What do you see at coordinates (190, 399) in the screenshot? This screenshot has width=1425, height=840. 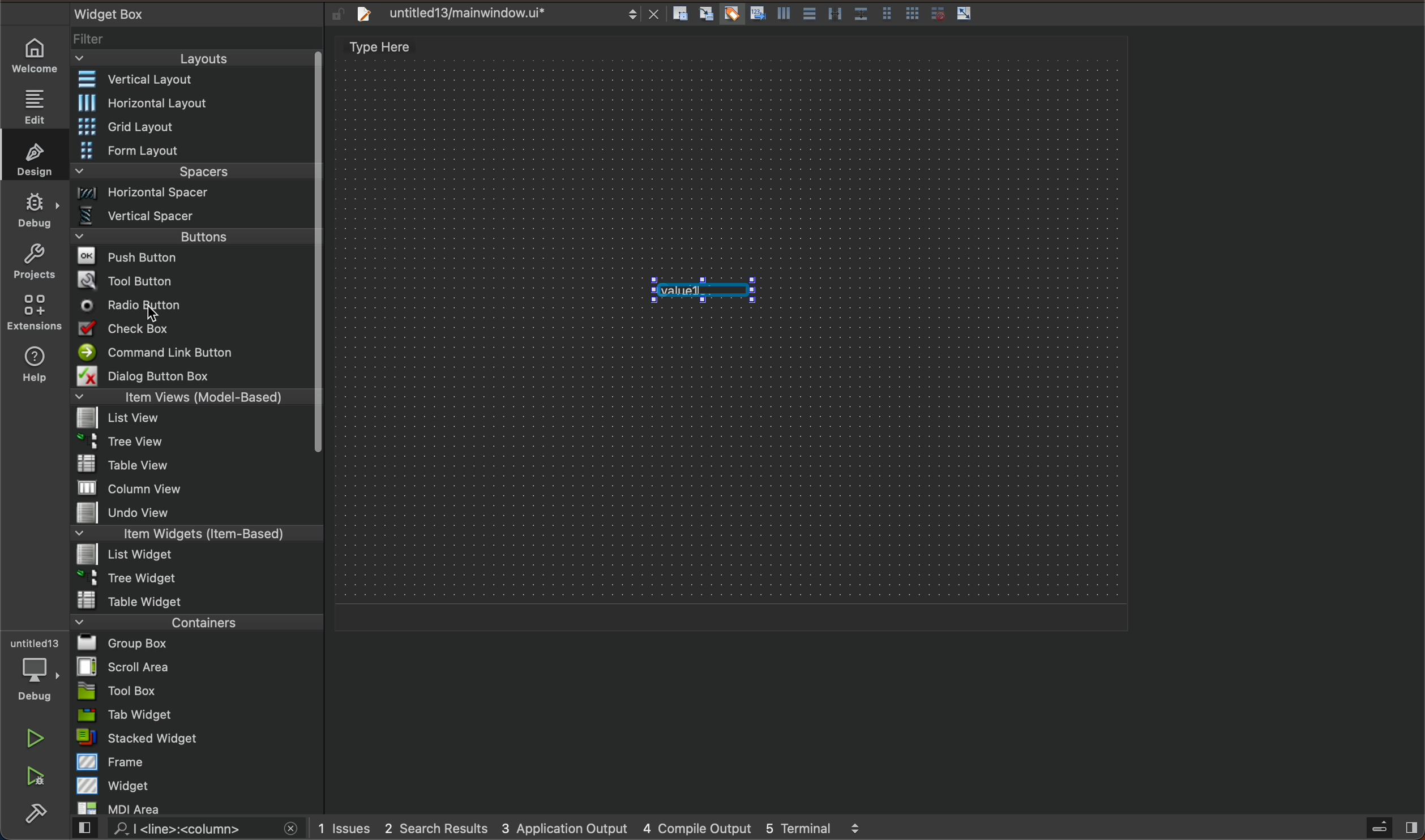 I see `item views` at bounding box center [190, 399].